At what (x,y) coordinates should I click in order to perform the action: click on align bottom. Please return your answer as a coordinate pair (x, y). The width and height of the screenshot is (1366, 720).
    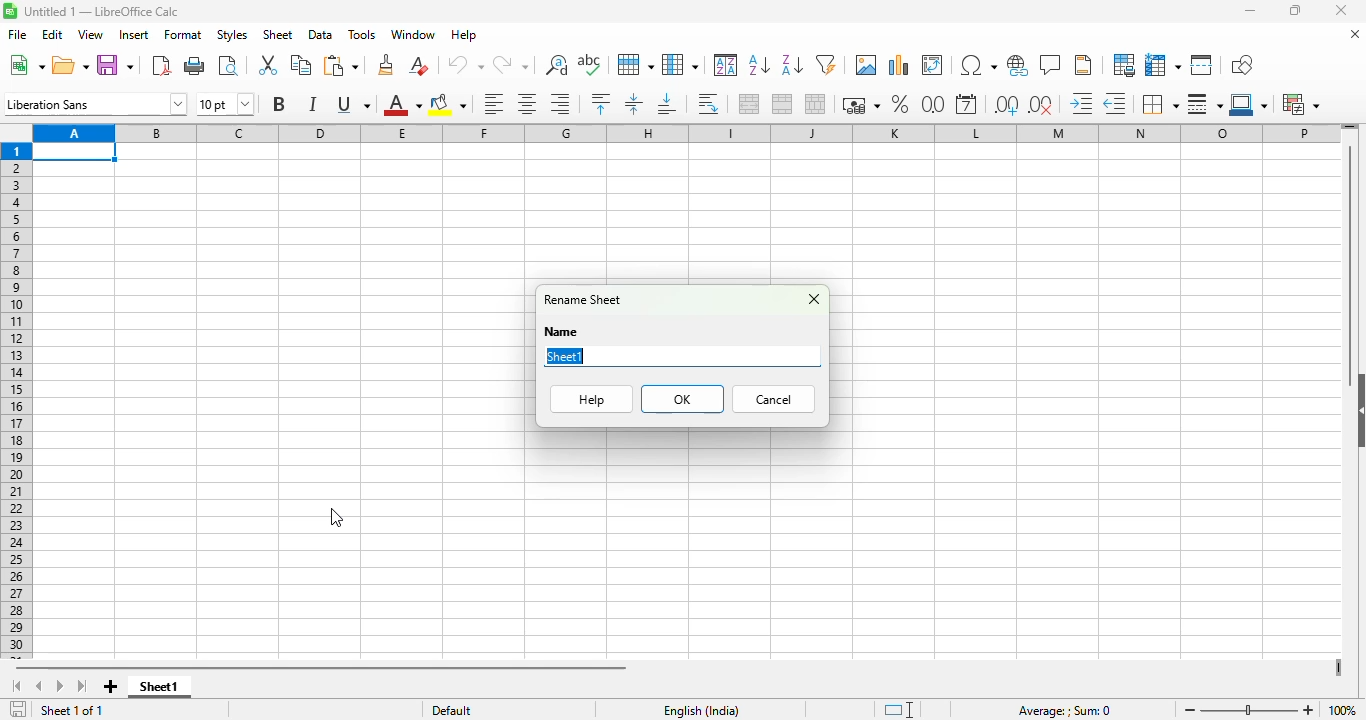
    Looking at the image, I should click on (668, 104).